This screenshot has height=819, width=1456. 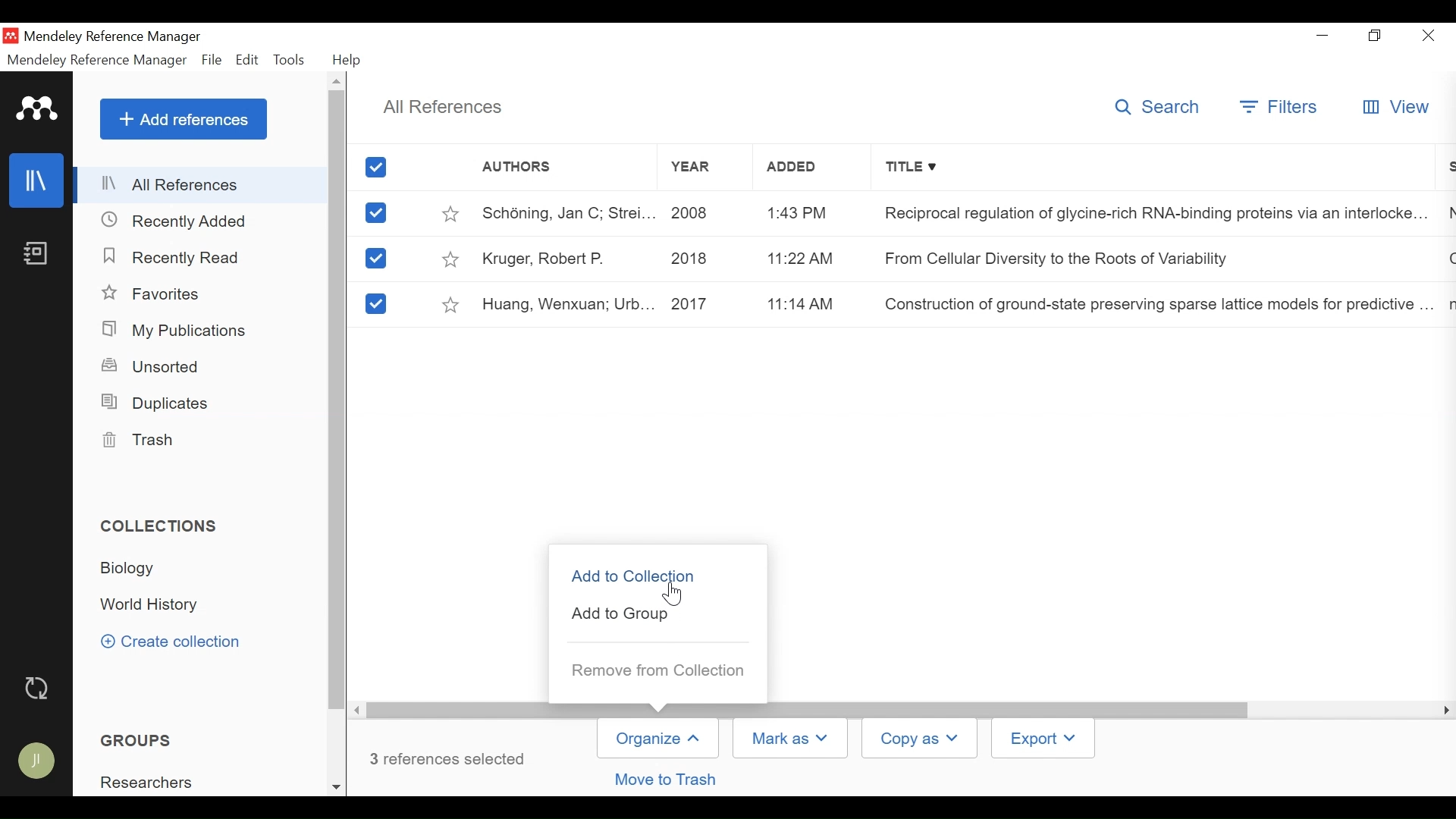 I want to click on Title, so click(x=1150, y=170).